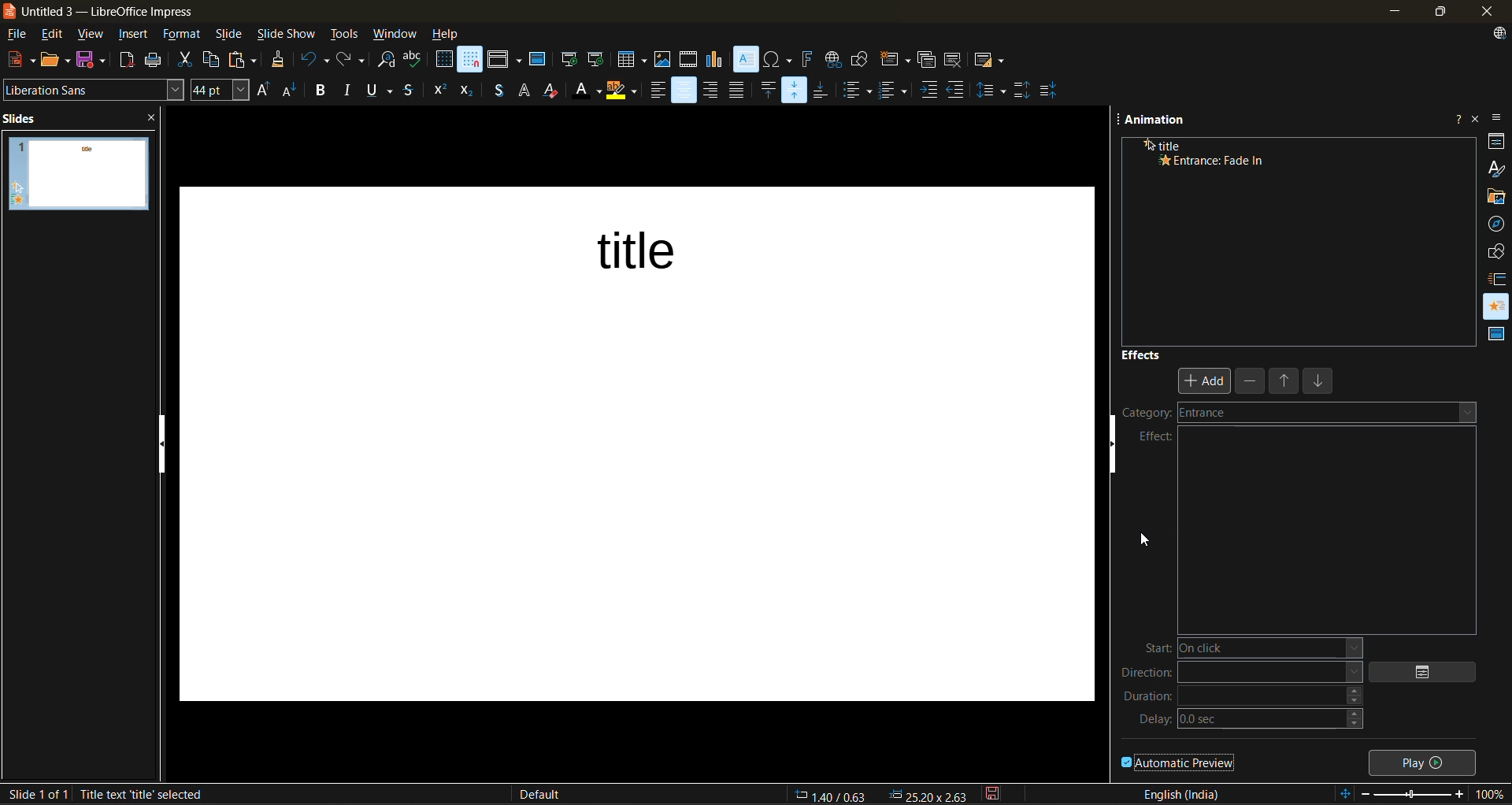 The image size is (1512, 805). I want to click on First select the slide element and then click ‘Add’ to add an
animation effect., so click(1297, 235).